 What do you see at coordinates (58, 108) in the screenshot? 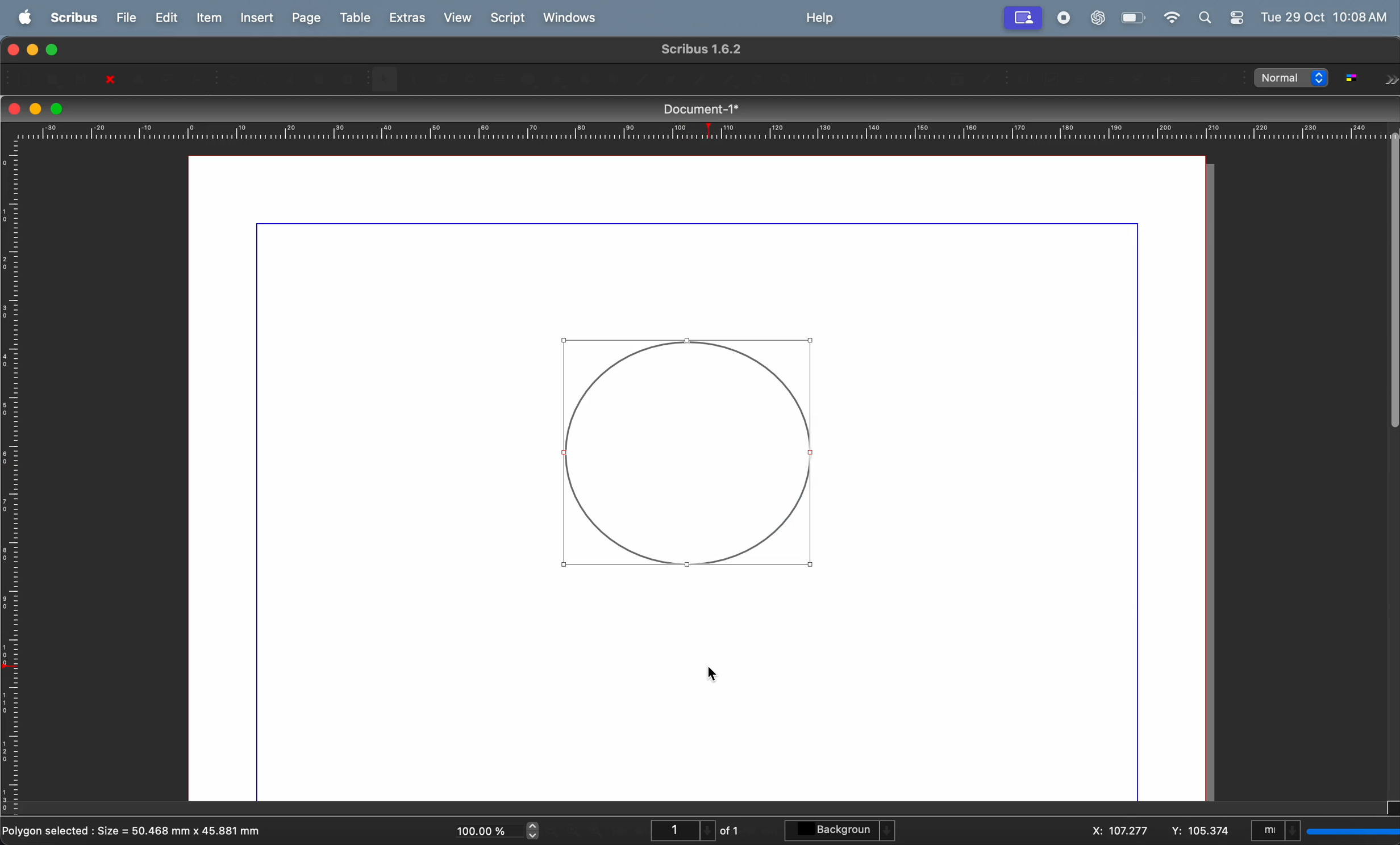
I see `maximize` at bounding box center [58, 108].